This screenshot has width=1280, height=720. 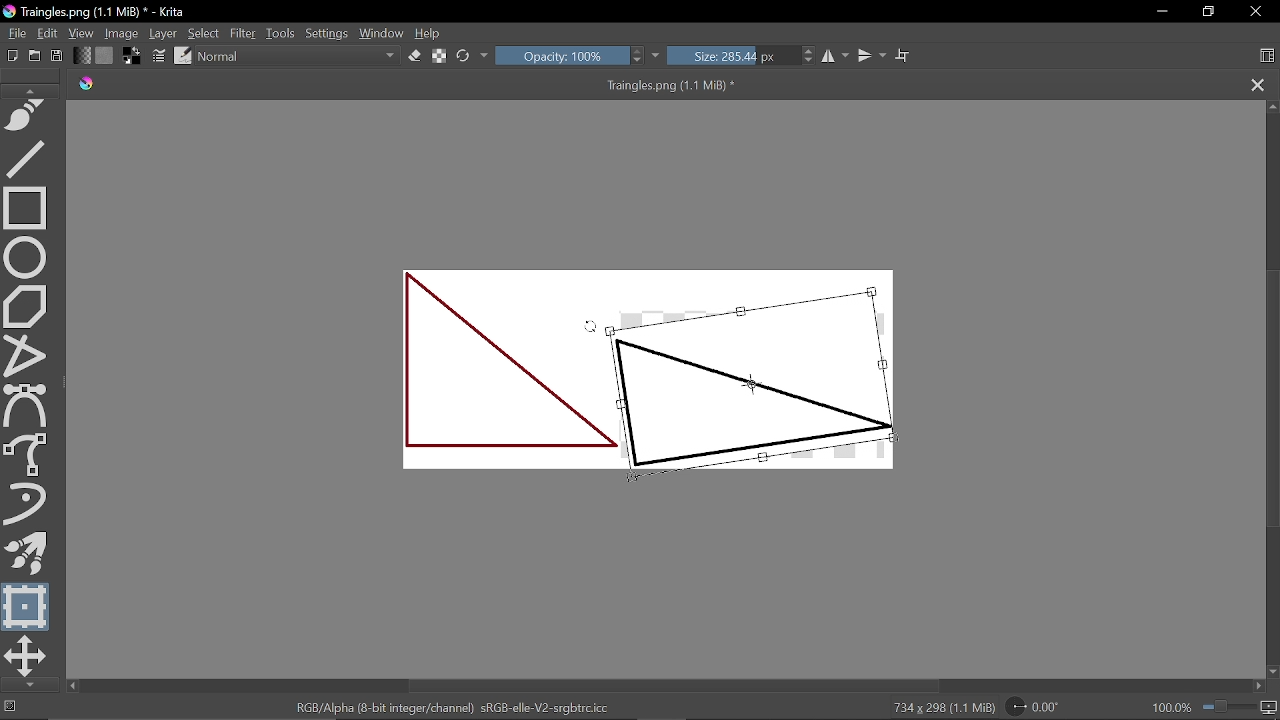 What do you see at coordinates (455, 706) in the screenshot?
I see `RGB/Alpha (8-bit integer/channel) sRGB-elle-V2-srgbtrc.icc` at bounding box center [455, 706].